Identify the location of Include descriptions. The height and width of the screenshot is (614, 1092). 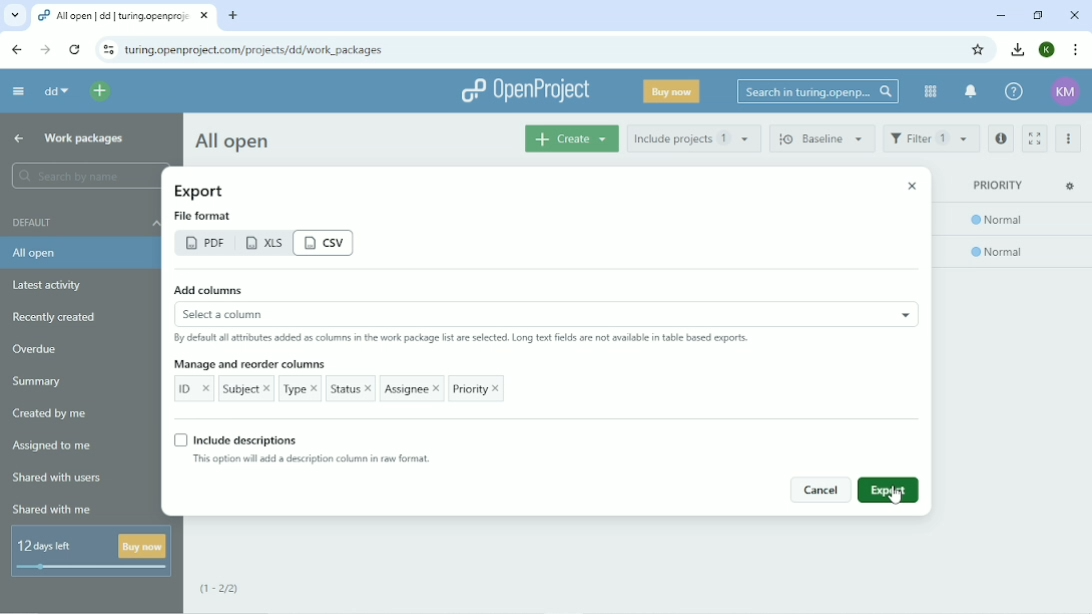
(302, 438).